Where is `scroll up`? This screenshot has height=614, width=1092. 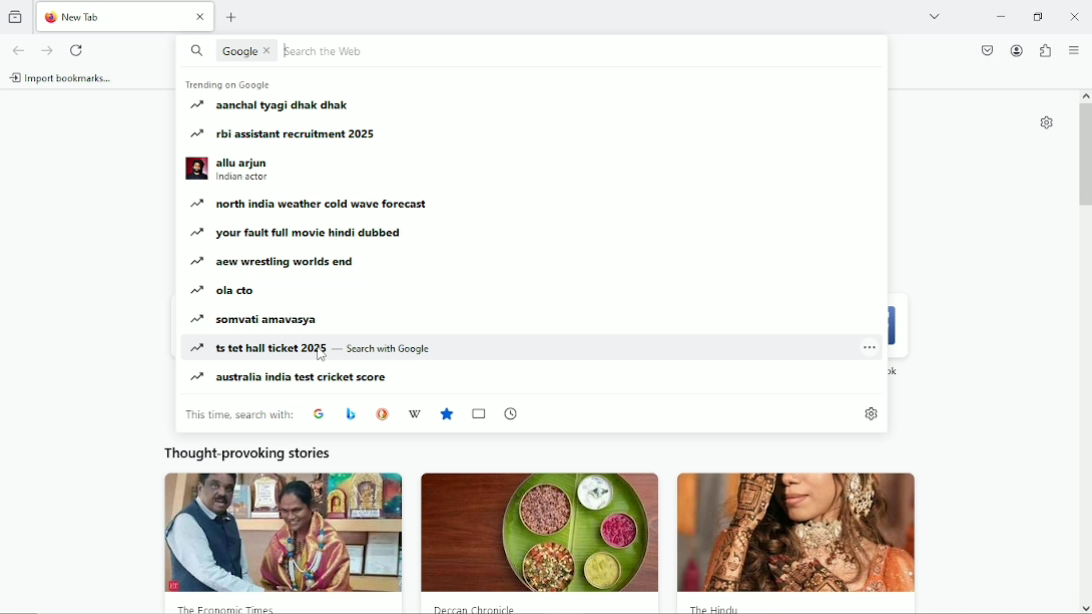
scroll up is located at coordinates (1084, 93).